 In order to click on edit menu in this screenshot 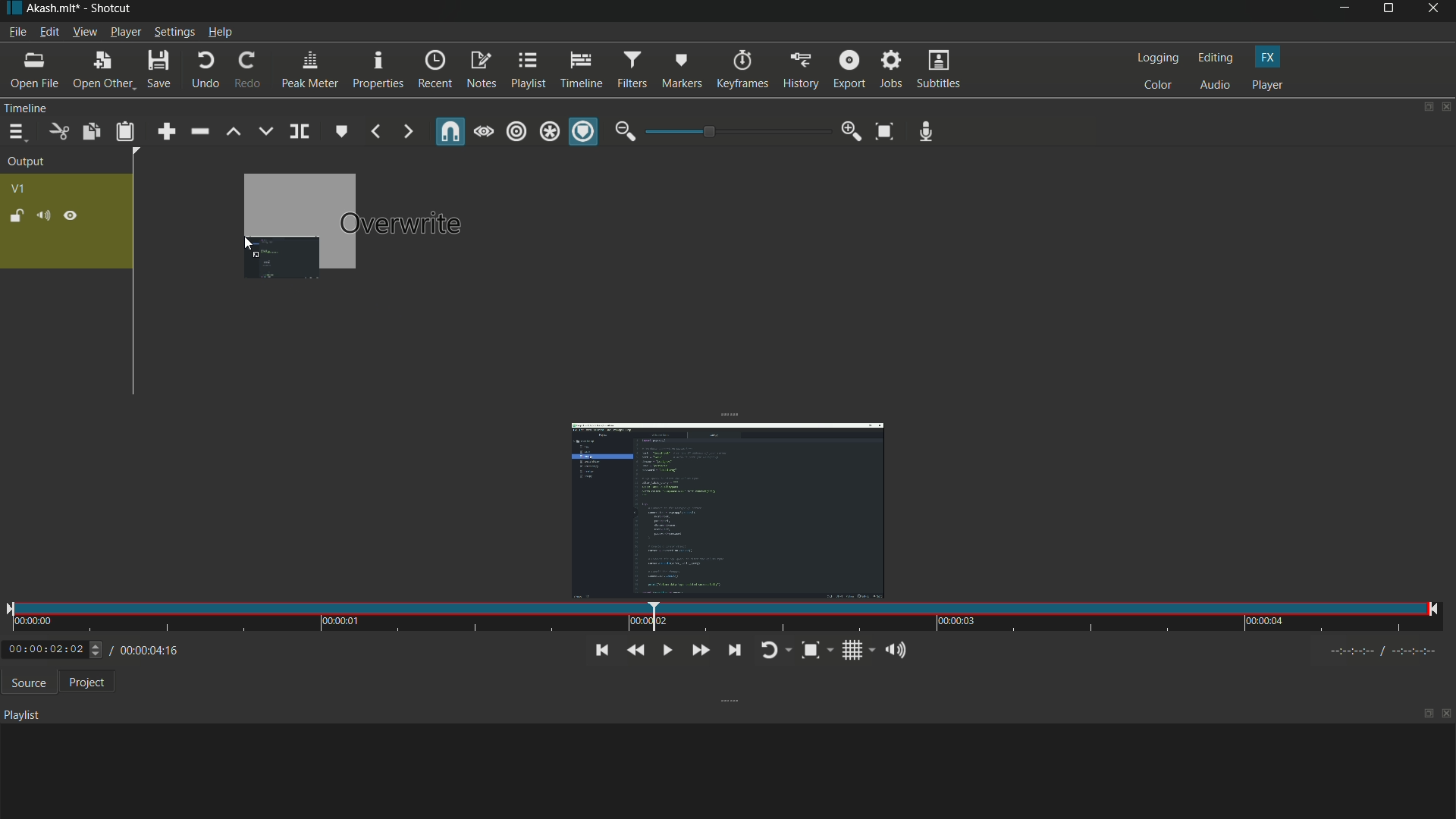, I will do `click(49, 33)`.